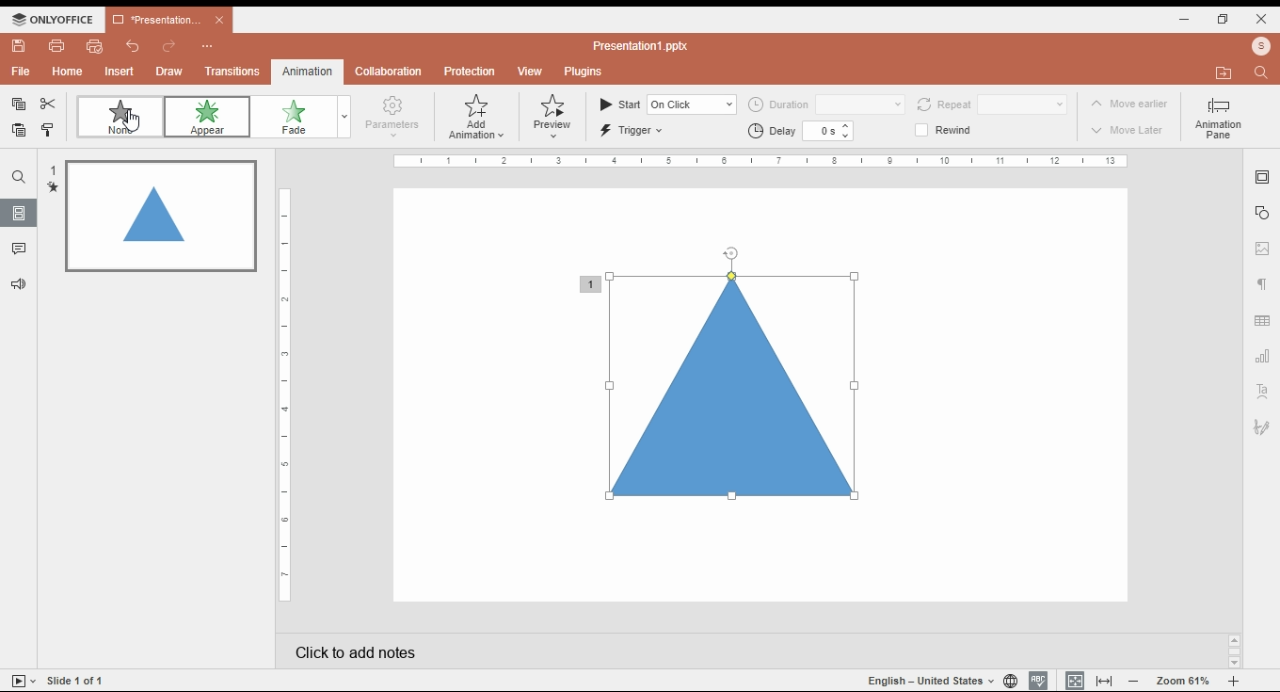 The image size is (1280, 692). I want to click on slide, so click(16, 177).